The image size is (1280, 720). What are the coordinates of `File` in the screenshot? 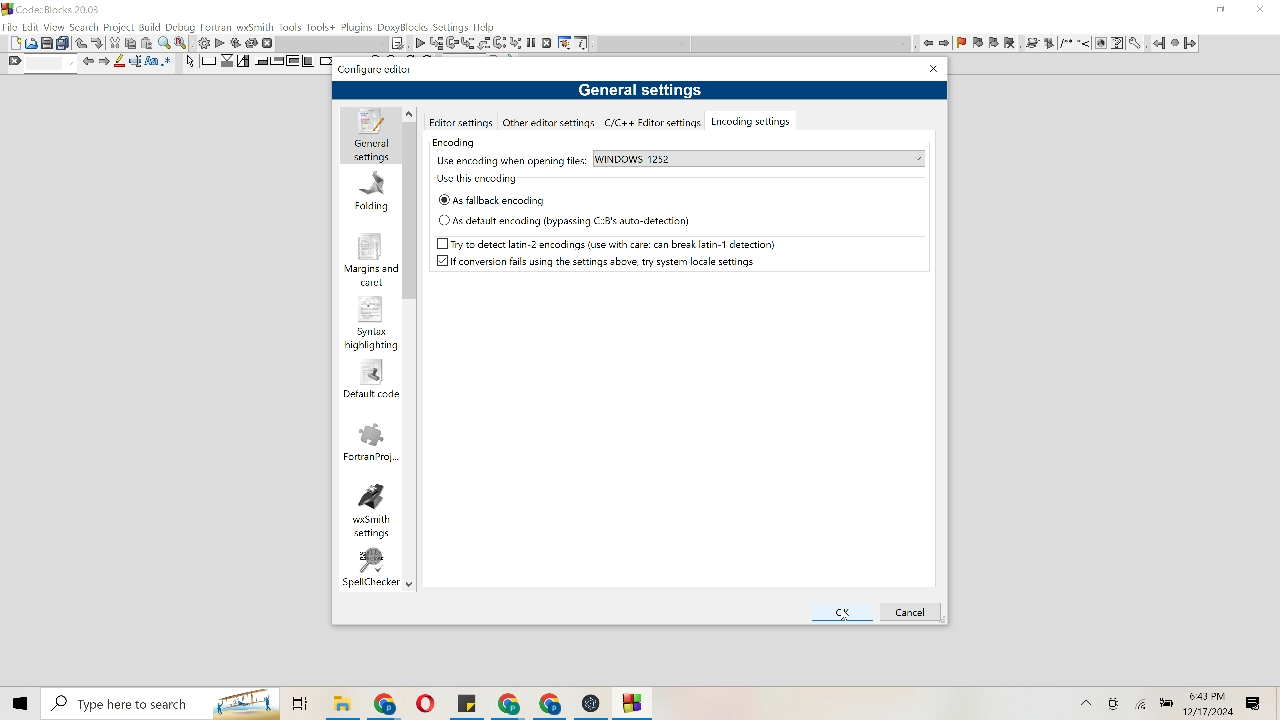 It's located at (591, 704).